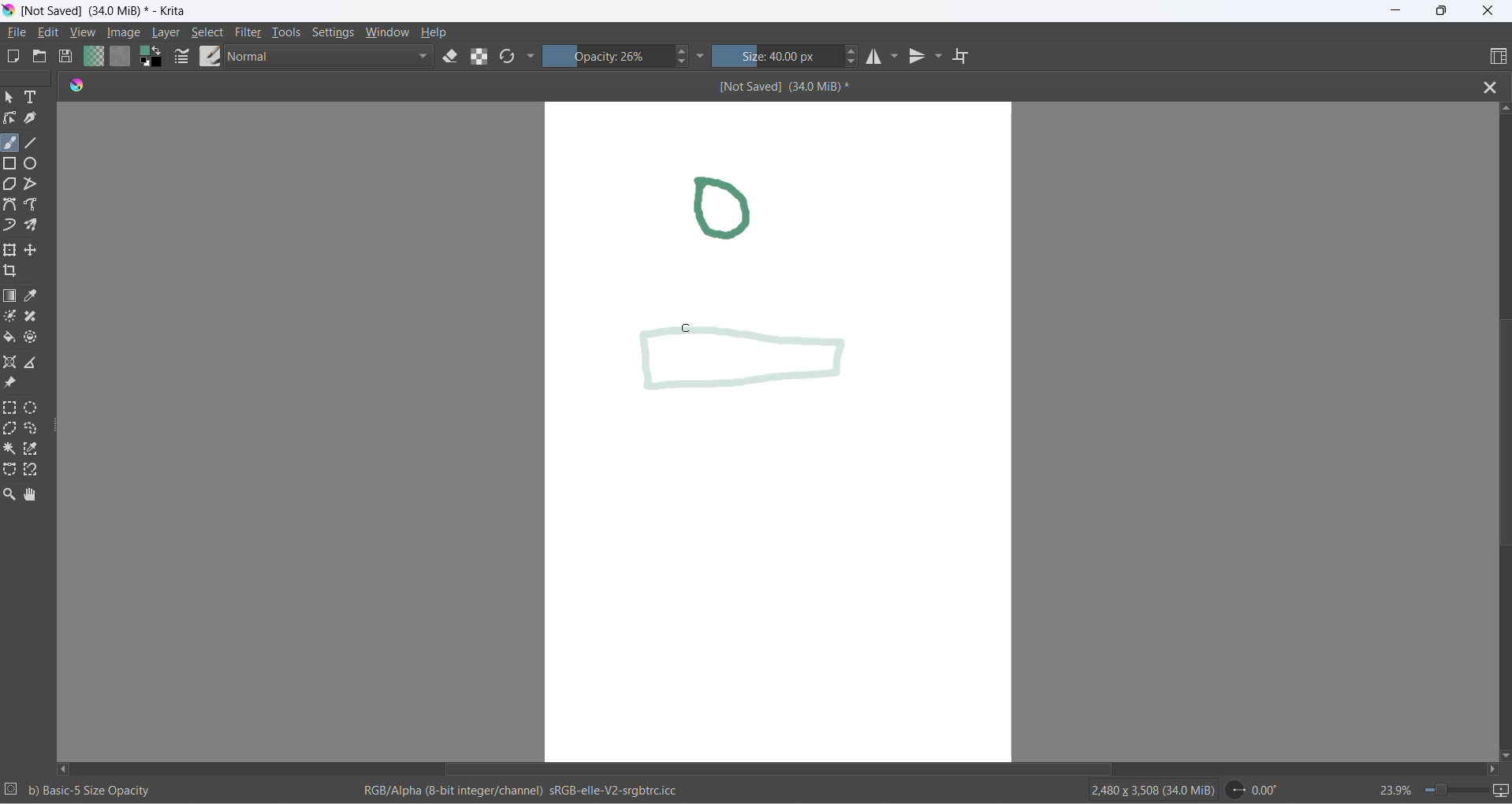  What do you see at coordinates (11, 297) in the screenshot?
I see `draw gradient` at bounding box center [11, 297].